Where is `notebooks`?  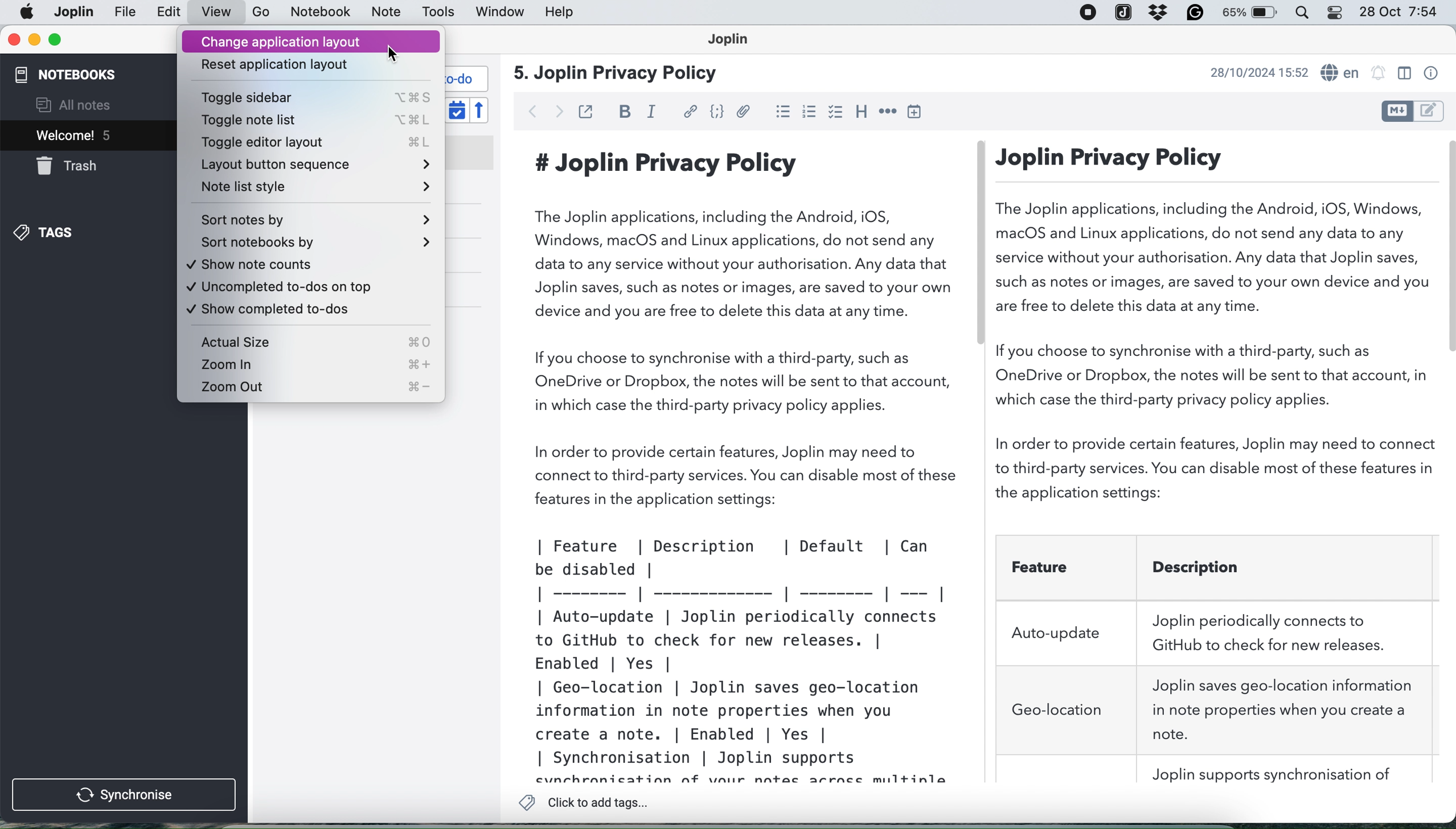 notebooks is located at coordinates (72, 73).